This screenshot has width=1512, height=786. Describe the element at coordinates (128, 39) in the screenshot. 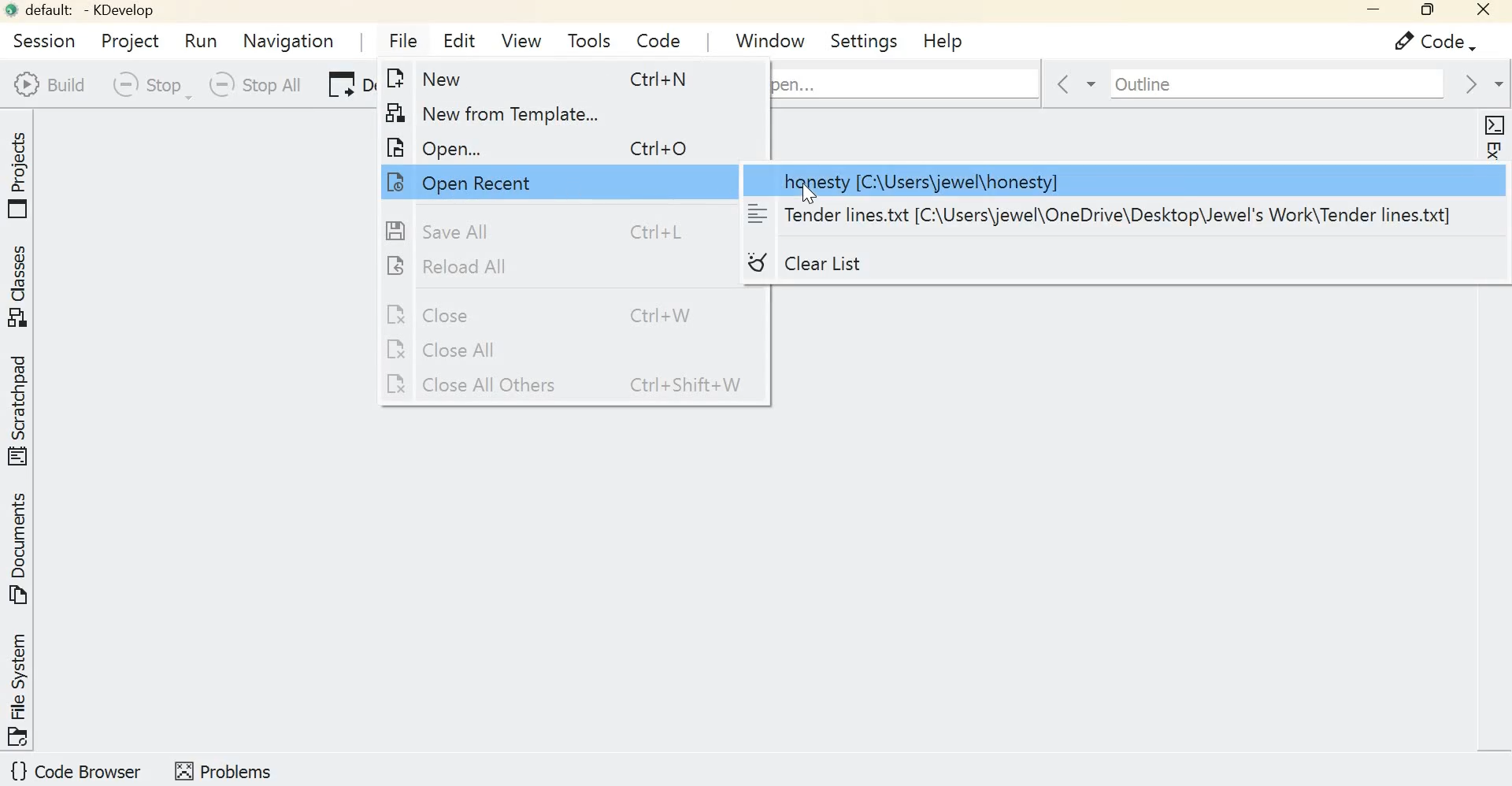

I see `Project` at that location.